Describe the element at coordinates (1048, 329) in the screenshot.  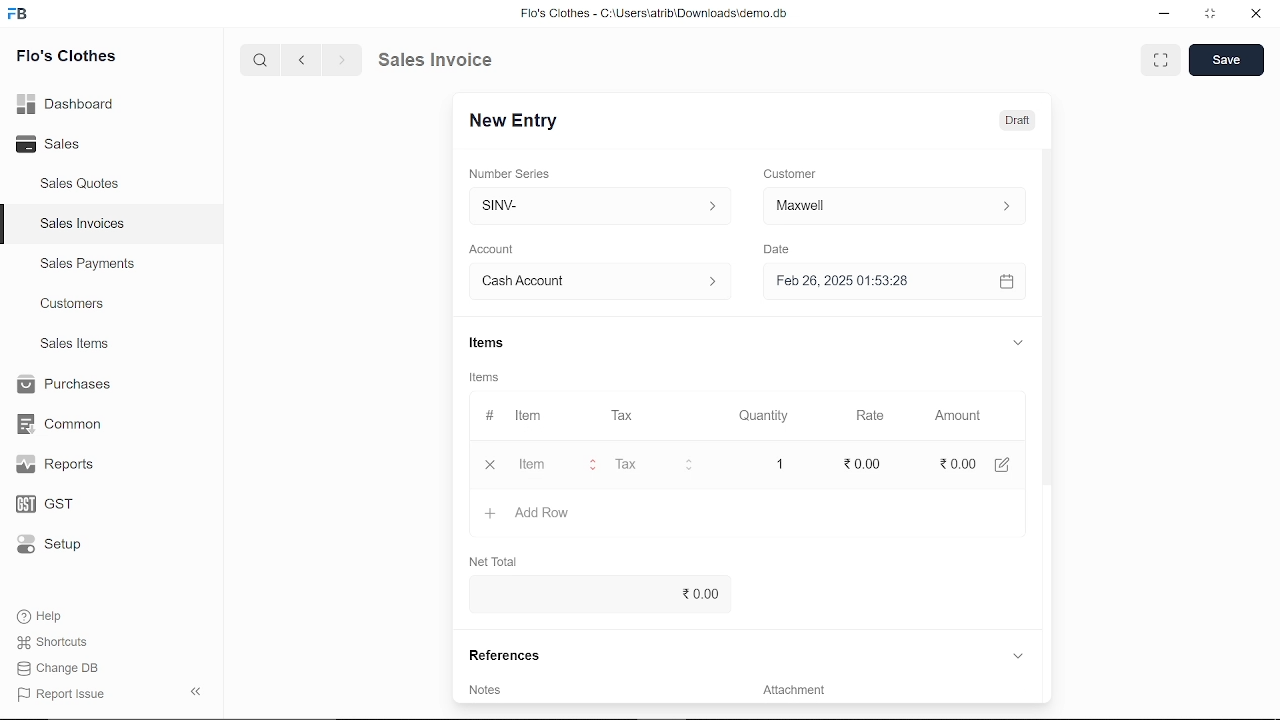
I see `vertical scrollbar` at that location.